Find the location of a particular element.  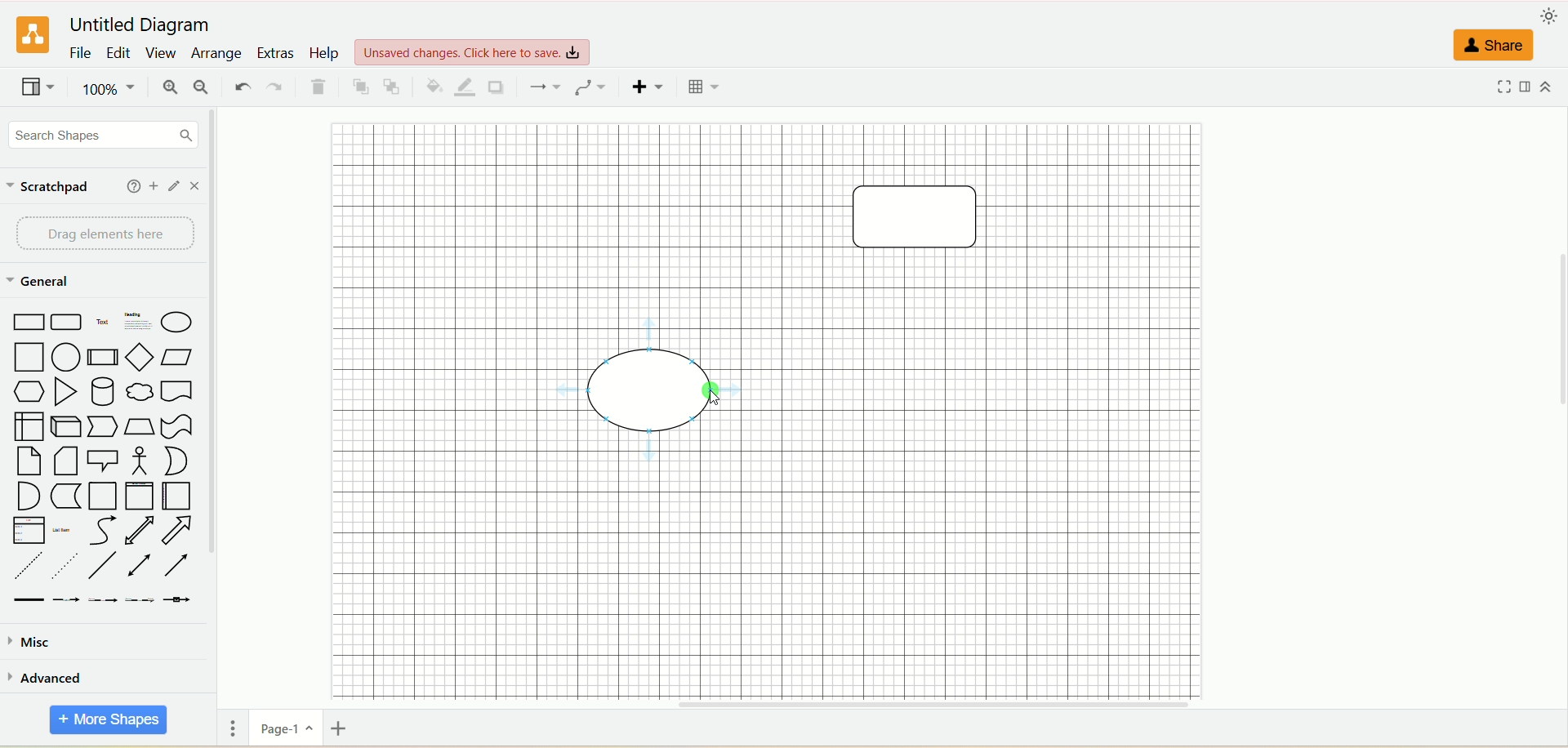

logo is located at coordinates (30, 36).